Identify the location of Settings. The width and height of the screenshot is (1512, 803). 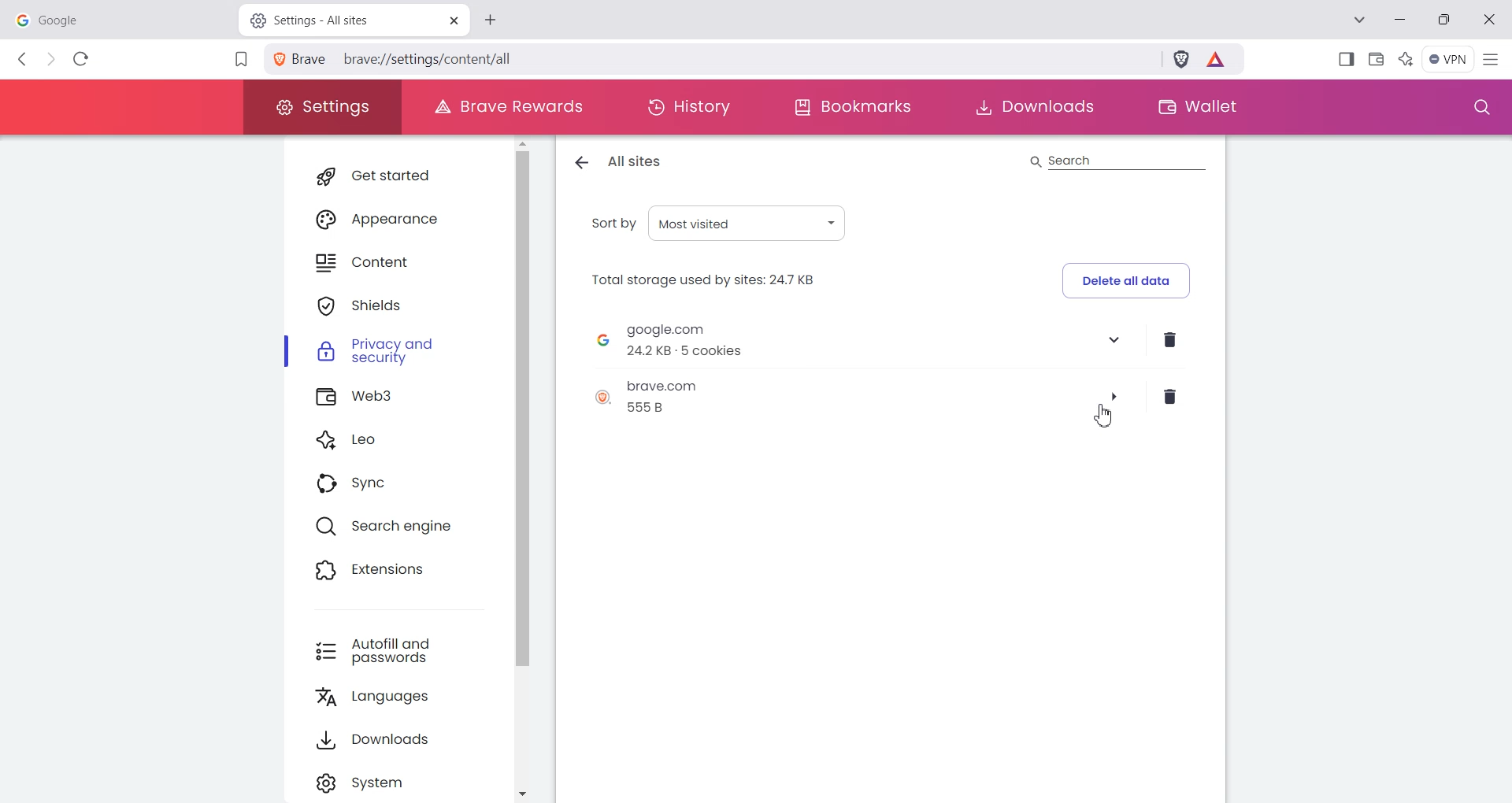
(321, 107).